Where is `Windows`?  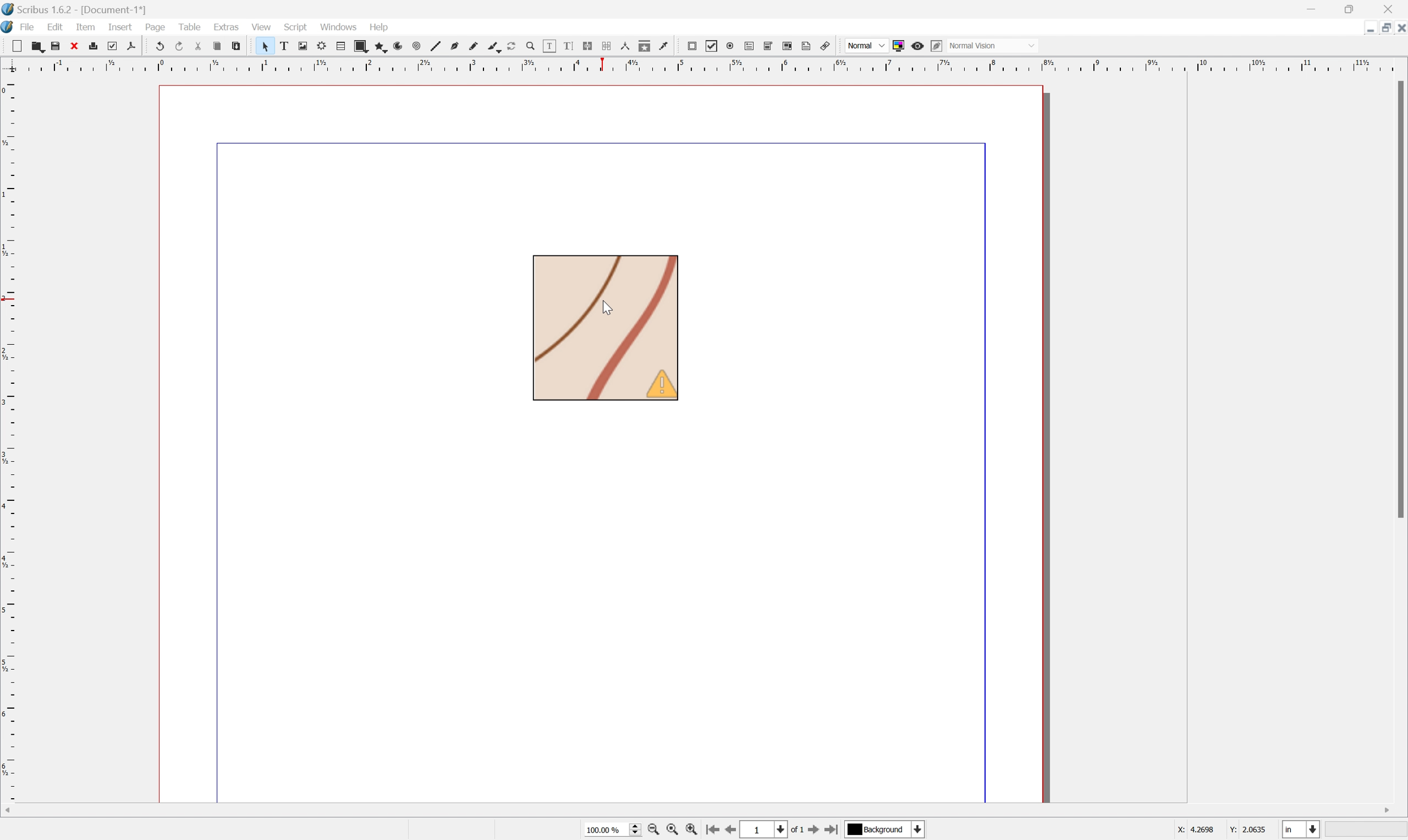
Windows is located at coordinates (339, 26).